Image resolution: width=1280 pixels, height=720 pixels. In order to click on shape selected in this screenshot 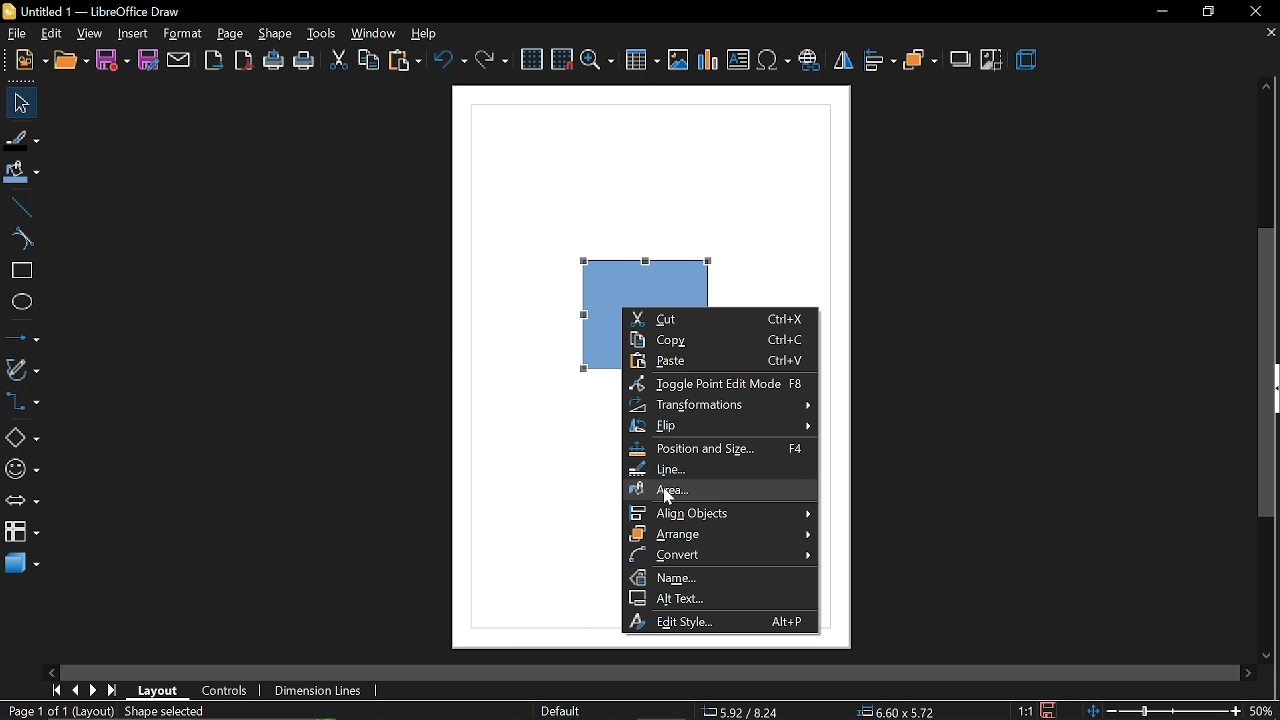, I will do `click(161, 710)`.